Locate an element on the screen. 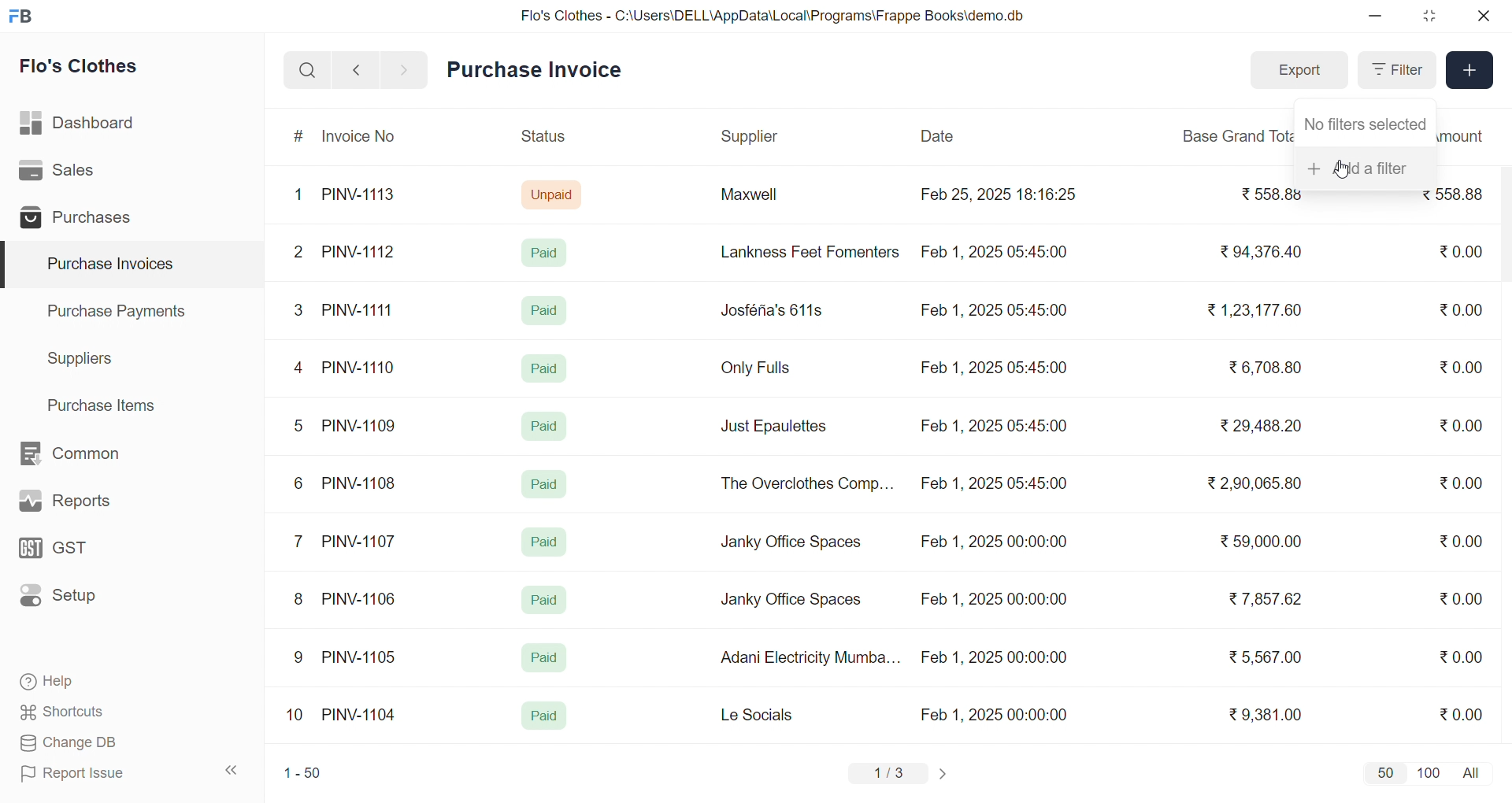 This screenshot has width=1512, height=803. 50 is located at coordinates (1384, 772).